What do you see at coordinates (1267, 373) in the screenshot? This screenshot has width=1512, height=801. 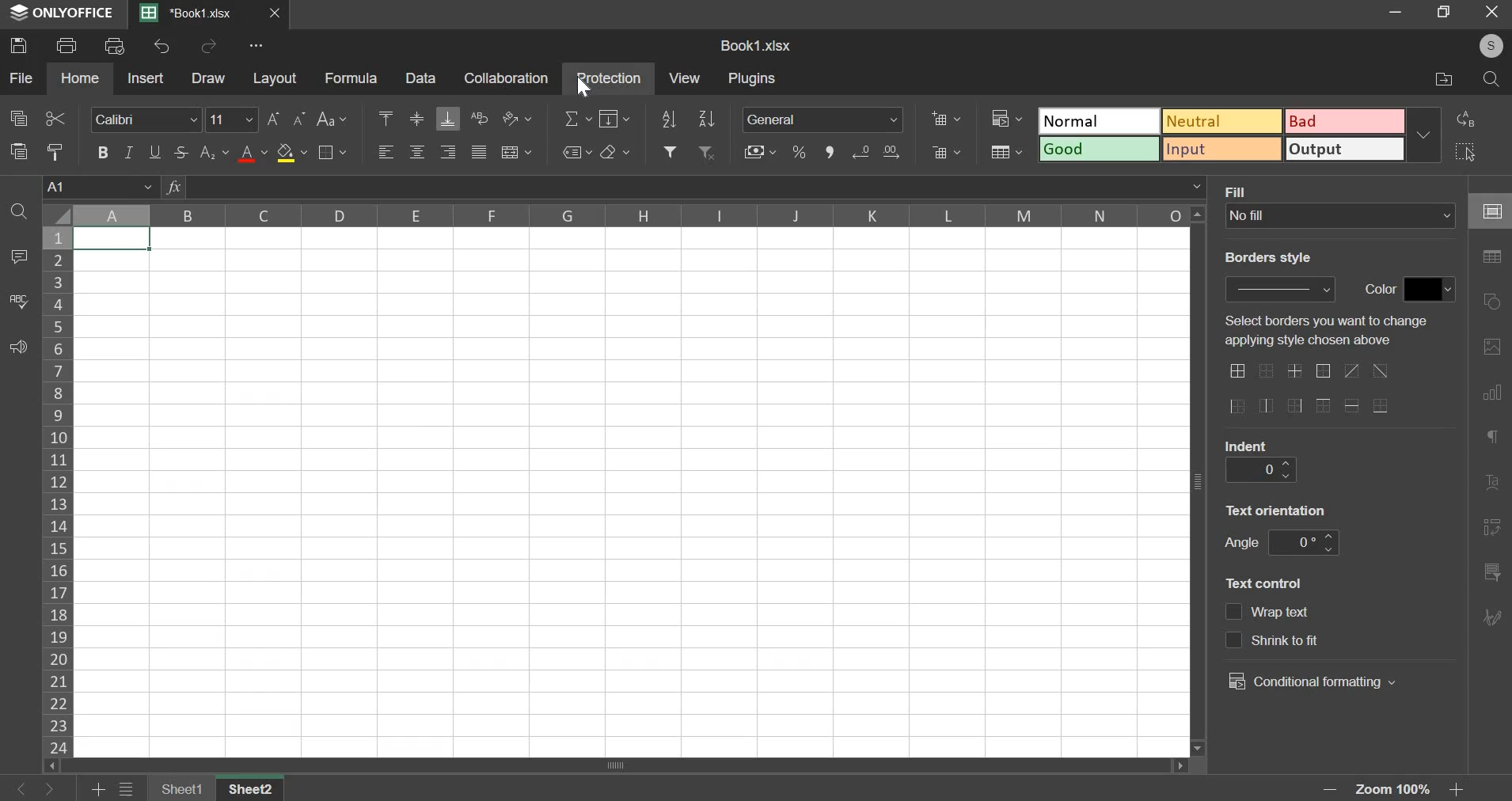 I see `border options` at bounding box center [1267, 373].